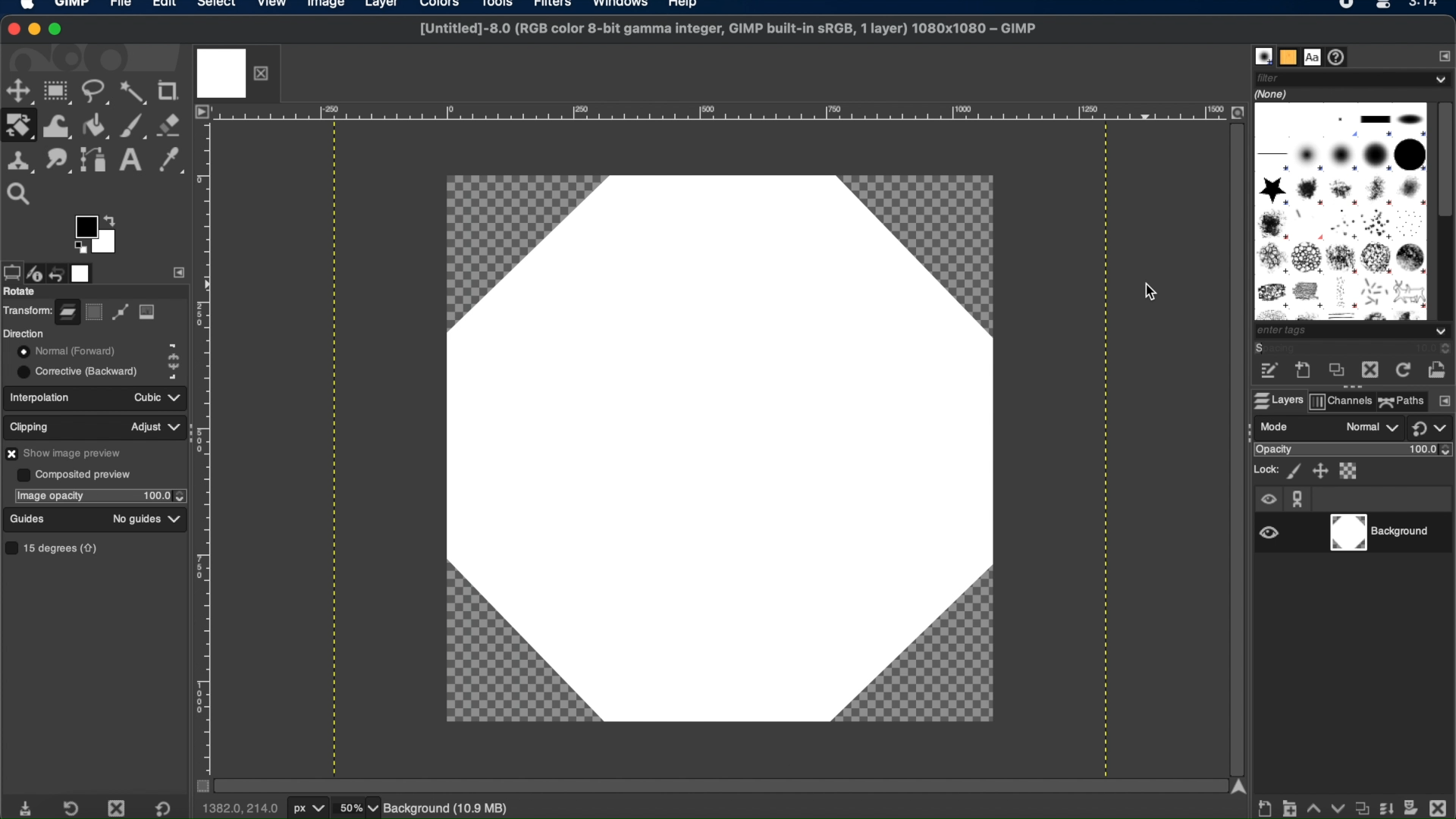  What do you see at coordinates (74, 6) in the screenshot?
I see `GIMP` at bounding box center [74, 6].